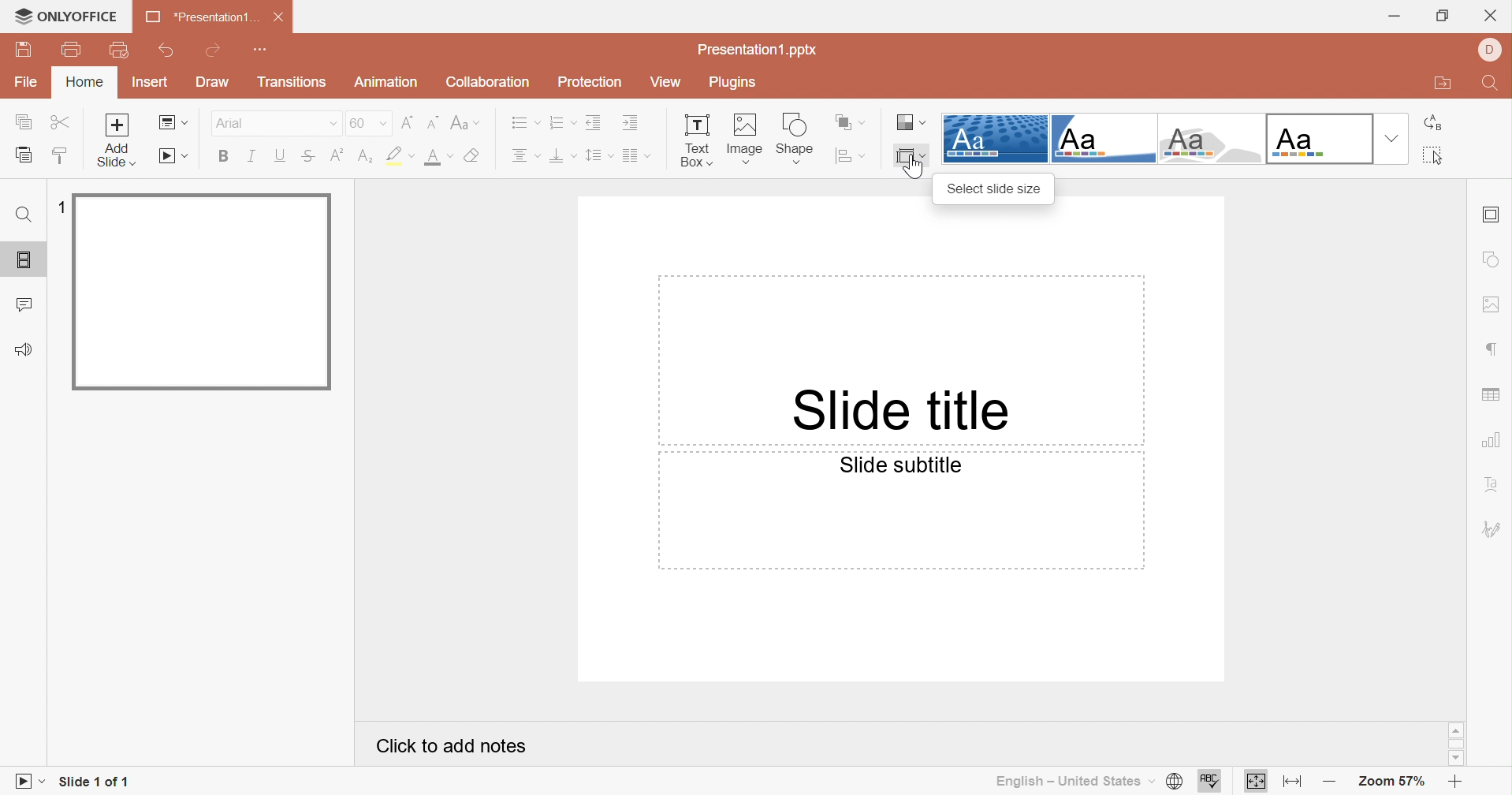  What do you see at coordinates (200, 16) in the screenshot?
I see `*Presentation1...` at bounding box center [200, 16].